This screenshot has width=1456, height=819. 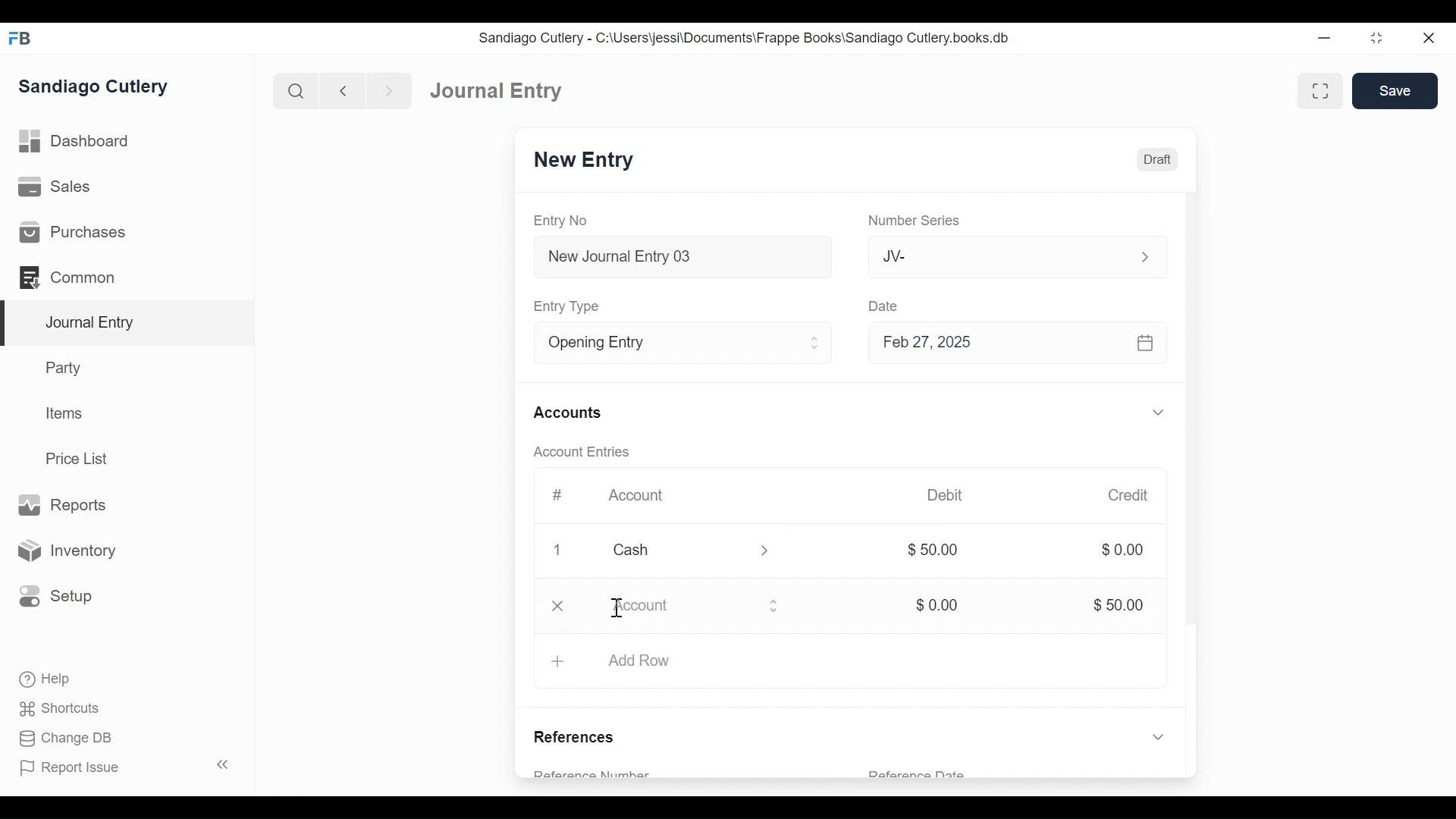 What do you see at coordinates (61, 711) in the screenshot?
I see `Shortcuts` at bounding box center [61, 711].